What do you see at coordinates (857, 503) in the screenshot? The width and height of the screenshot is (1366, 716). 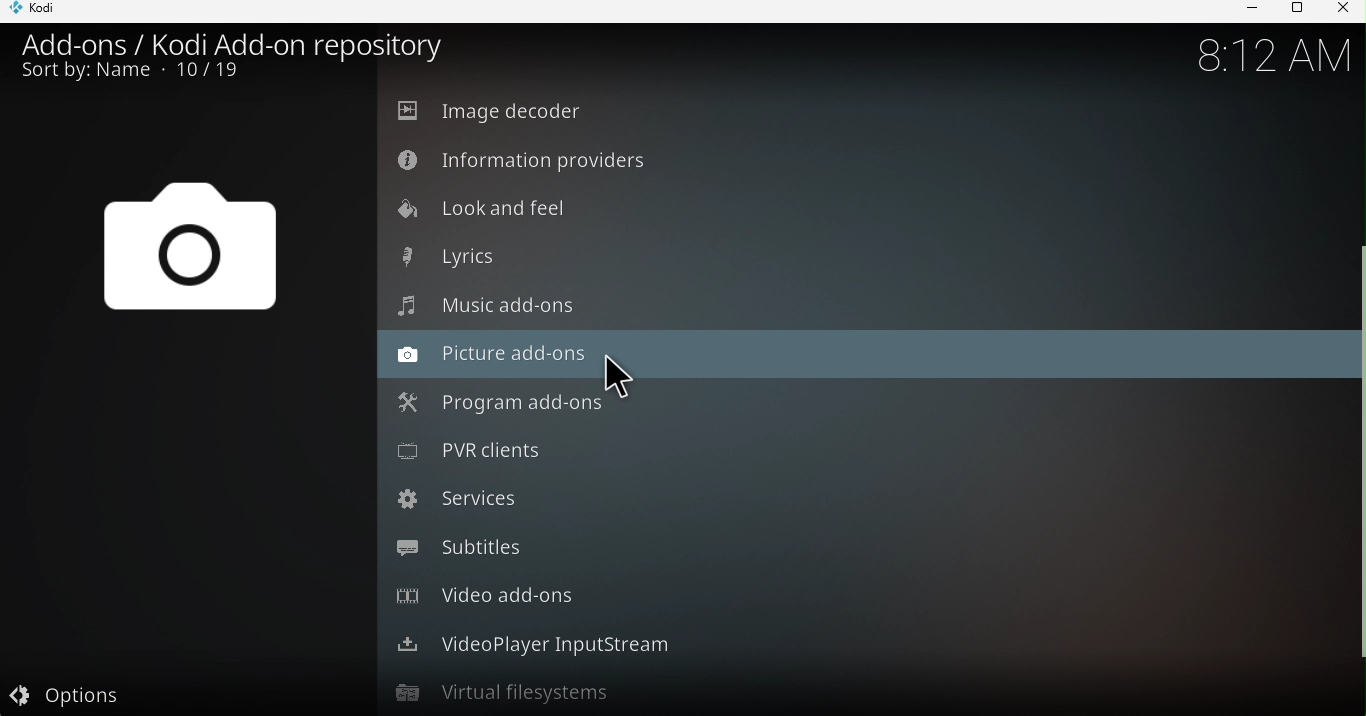 I see `Services` at bounding box center [857, 503].